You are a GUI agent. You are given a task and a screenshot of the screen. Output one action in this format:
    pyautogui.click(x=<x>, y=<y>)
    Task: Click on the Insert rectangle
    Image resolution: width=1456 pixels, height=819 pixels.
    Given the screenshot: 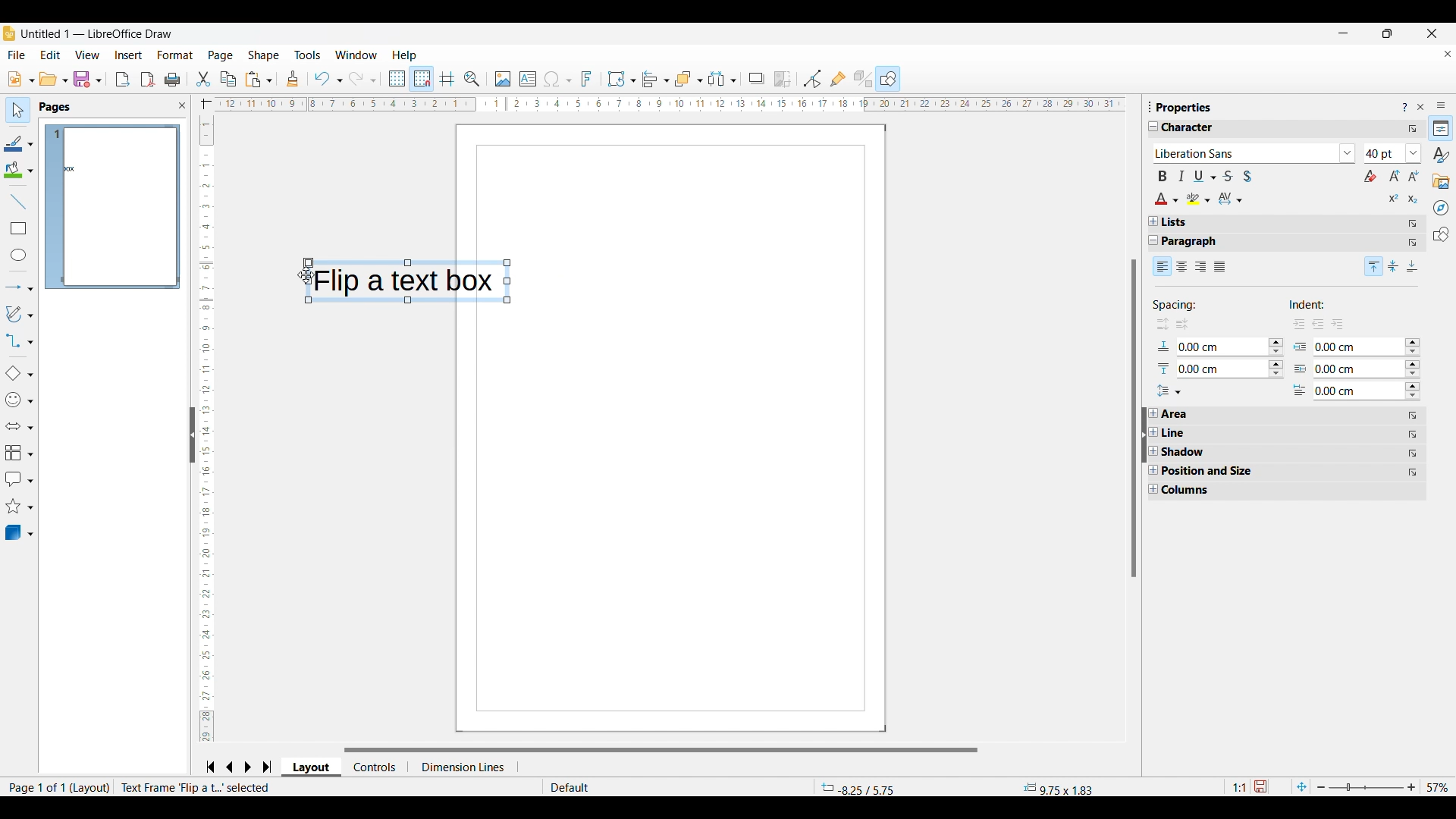 What is the action you would take?
    pyautogui.click(x=19, y=228)
    